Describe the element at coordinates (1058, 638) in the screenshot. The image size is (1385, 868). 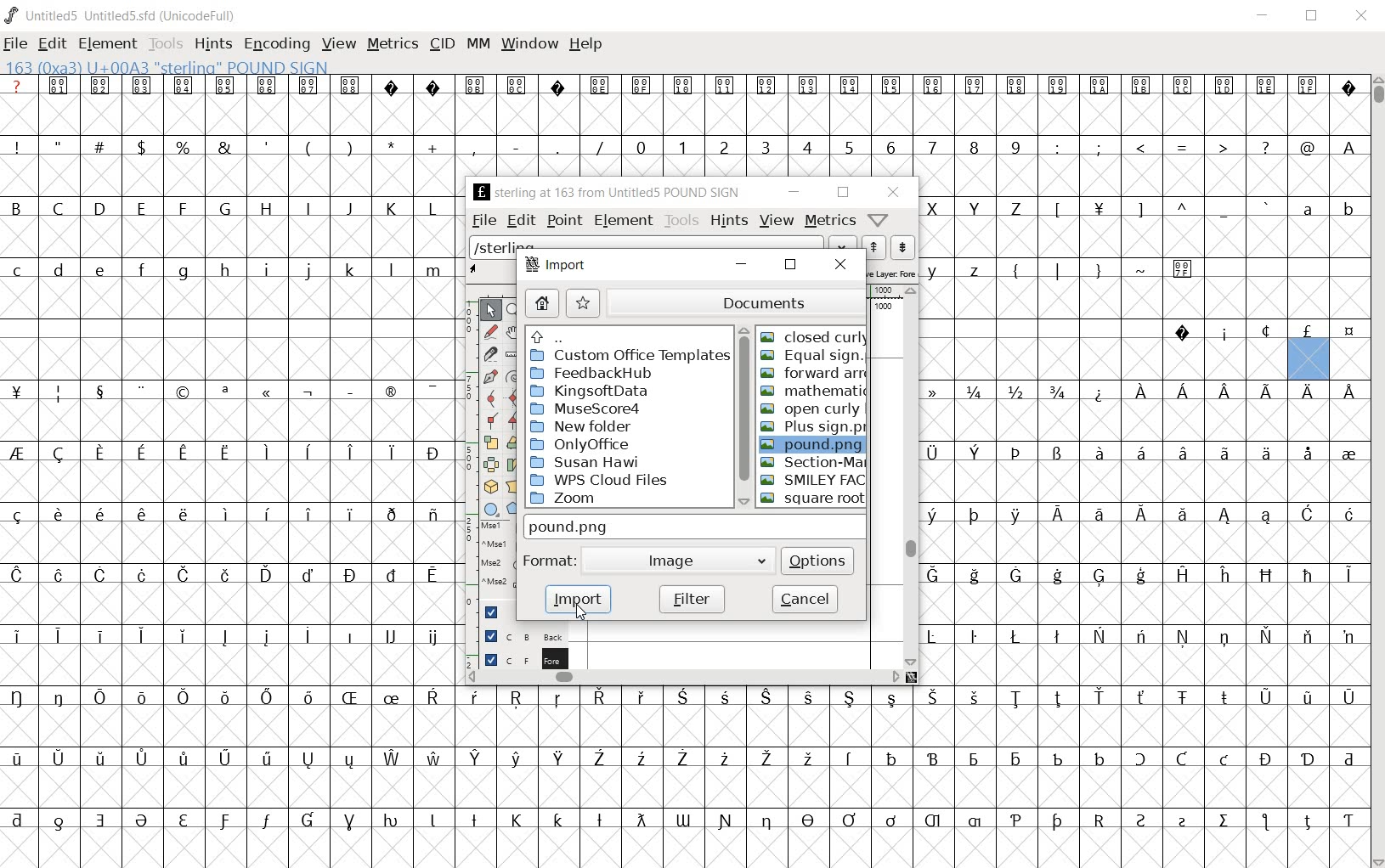
I see `Symbol` at that location.